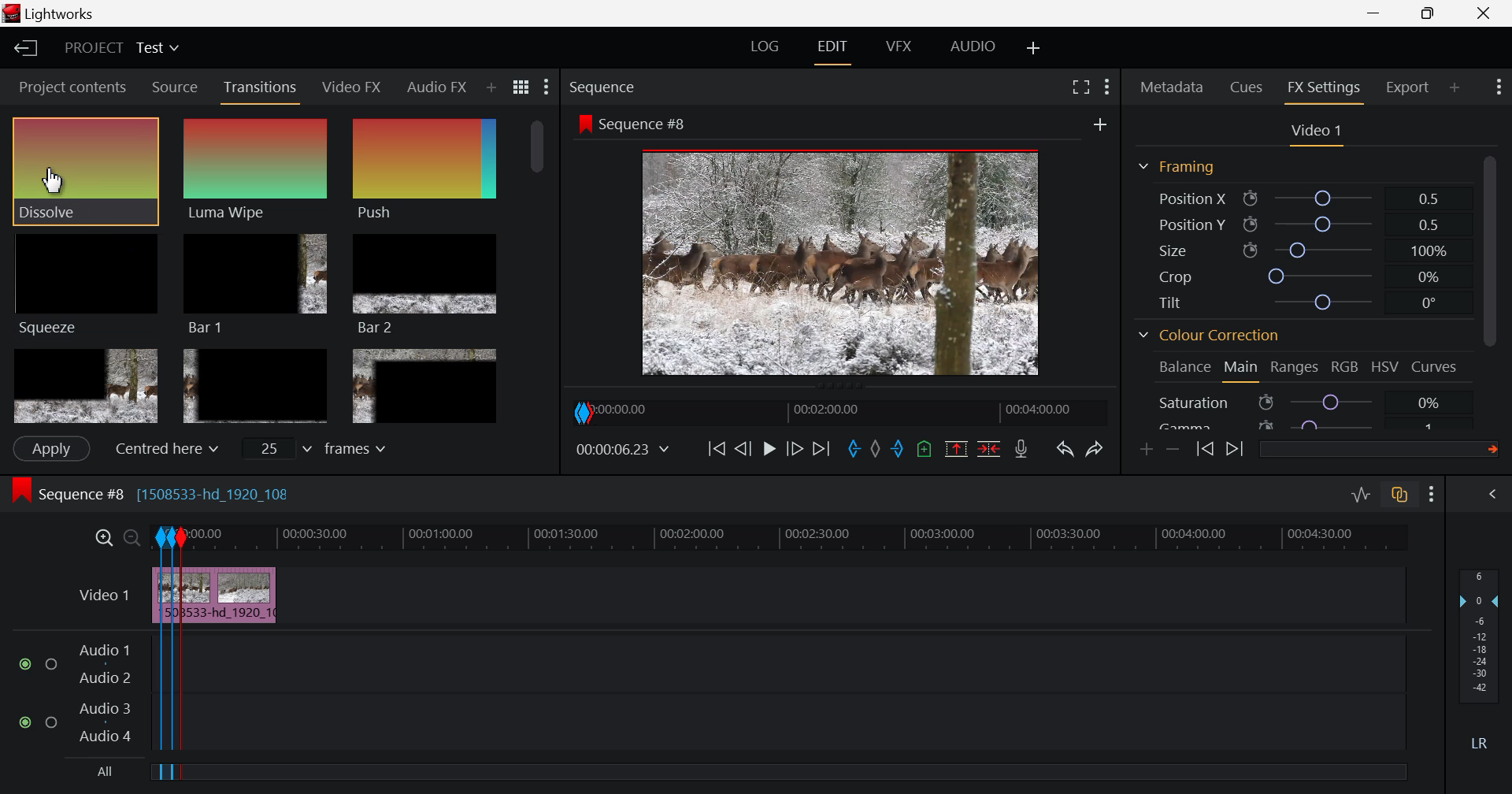  Describe the element at coordinates (256, 388) in the screenshot. I see `Box 5` at that location.